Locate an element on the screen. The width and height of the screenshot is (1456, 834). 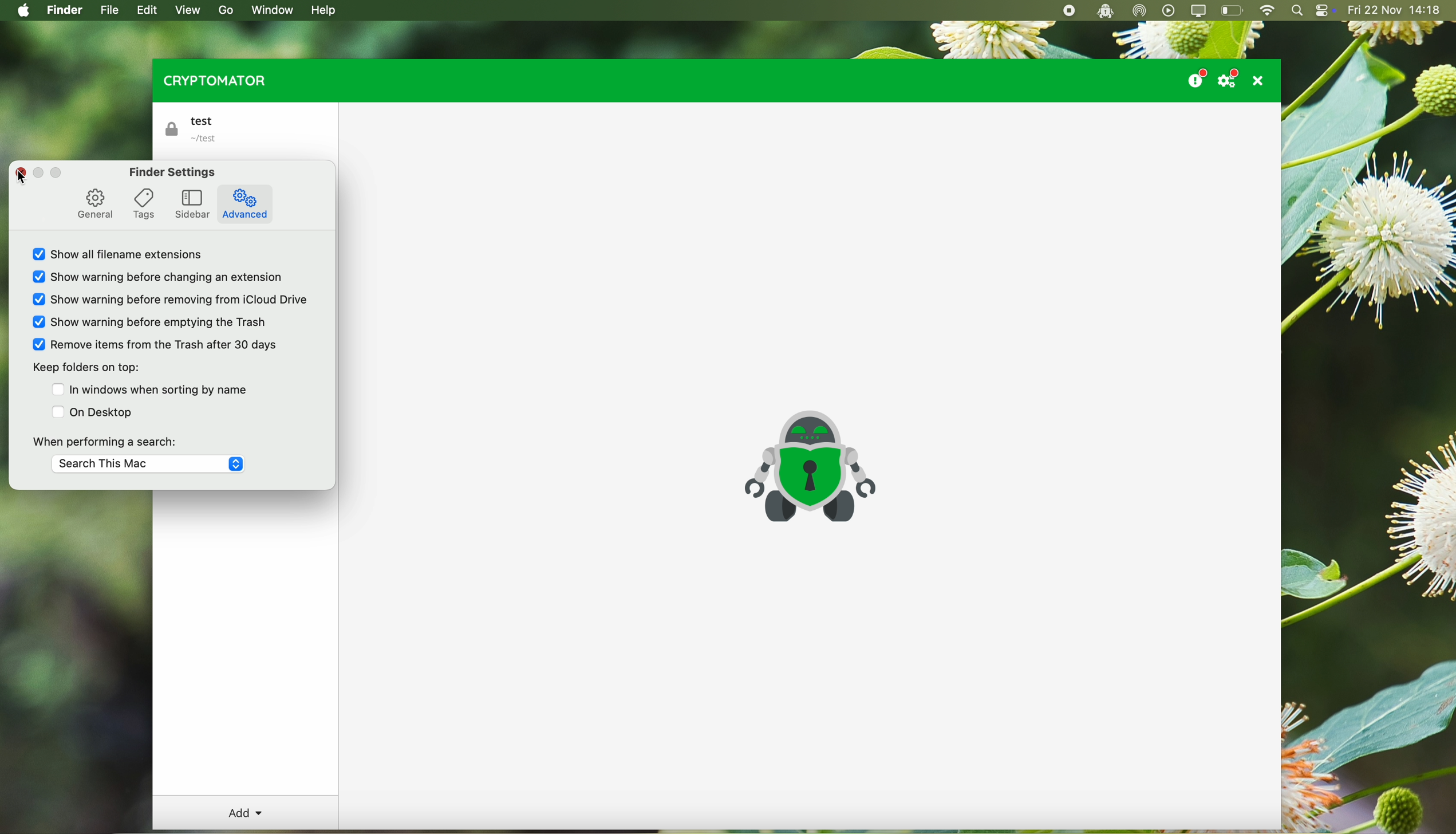
on desktop is located at coordinates (94, 412).